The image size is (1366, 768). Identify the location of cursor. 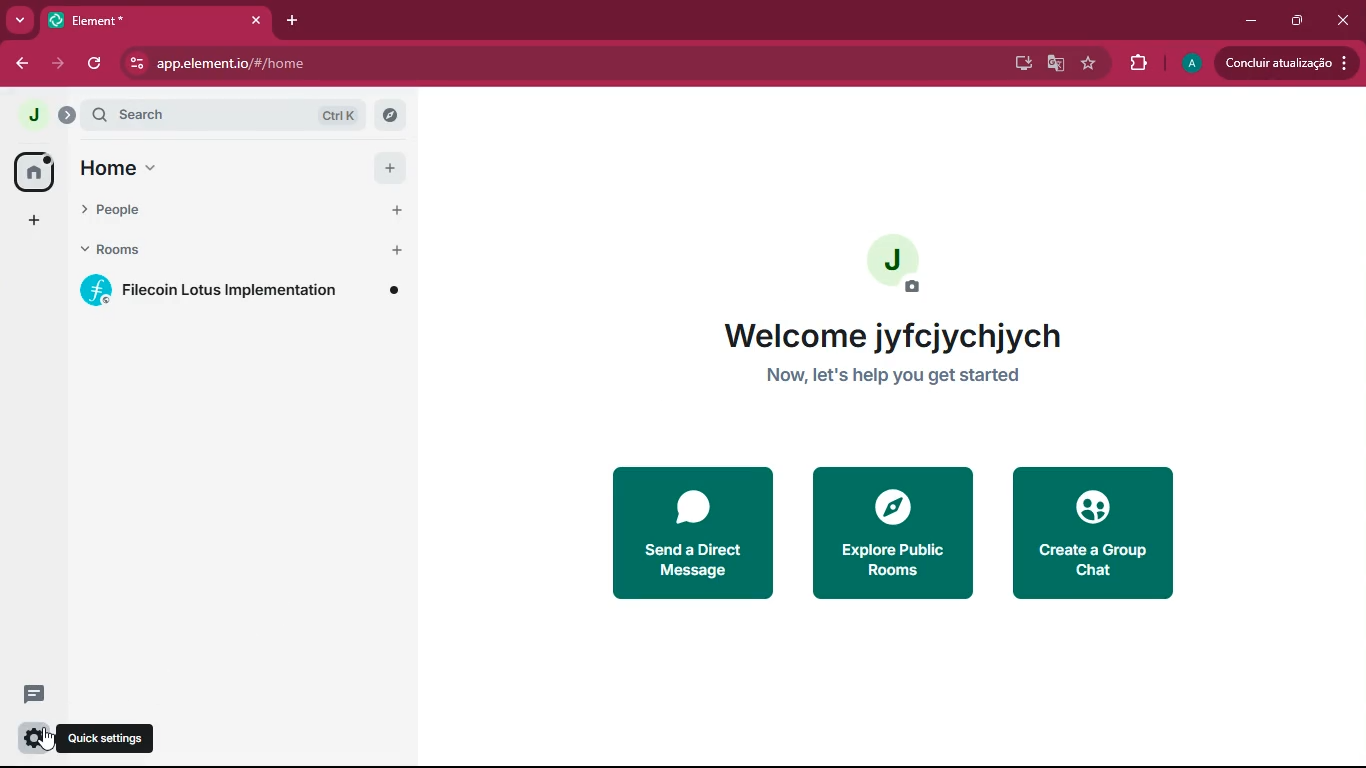
(43, 742).